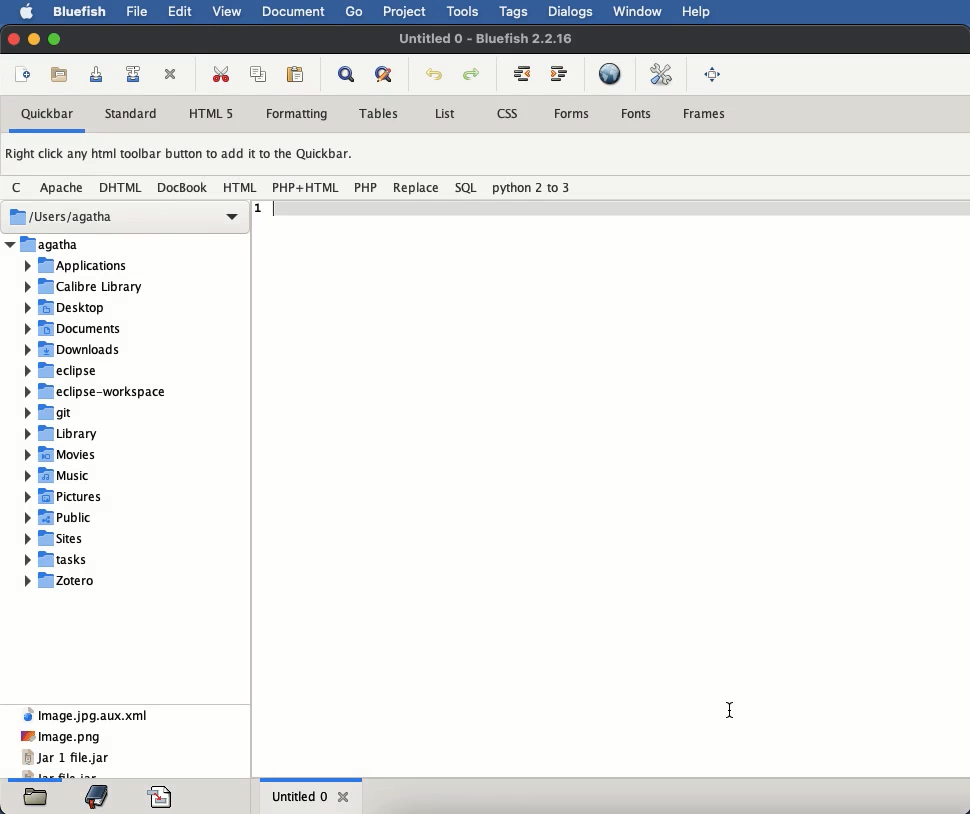 This screenshot has width=970, height=814. Describe the element at coordinates (182, 188) in the screenshot. I see `DocBook` at that location.